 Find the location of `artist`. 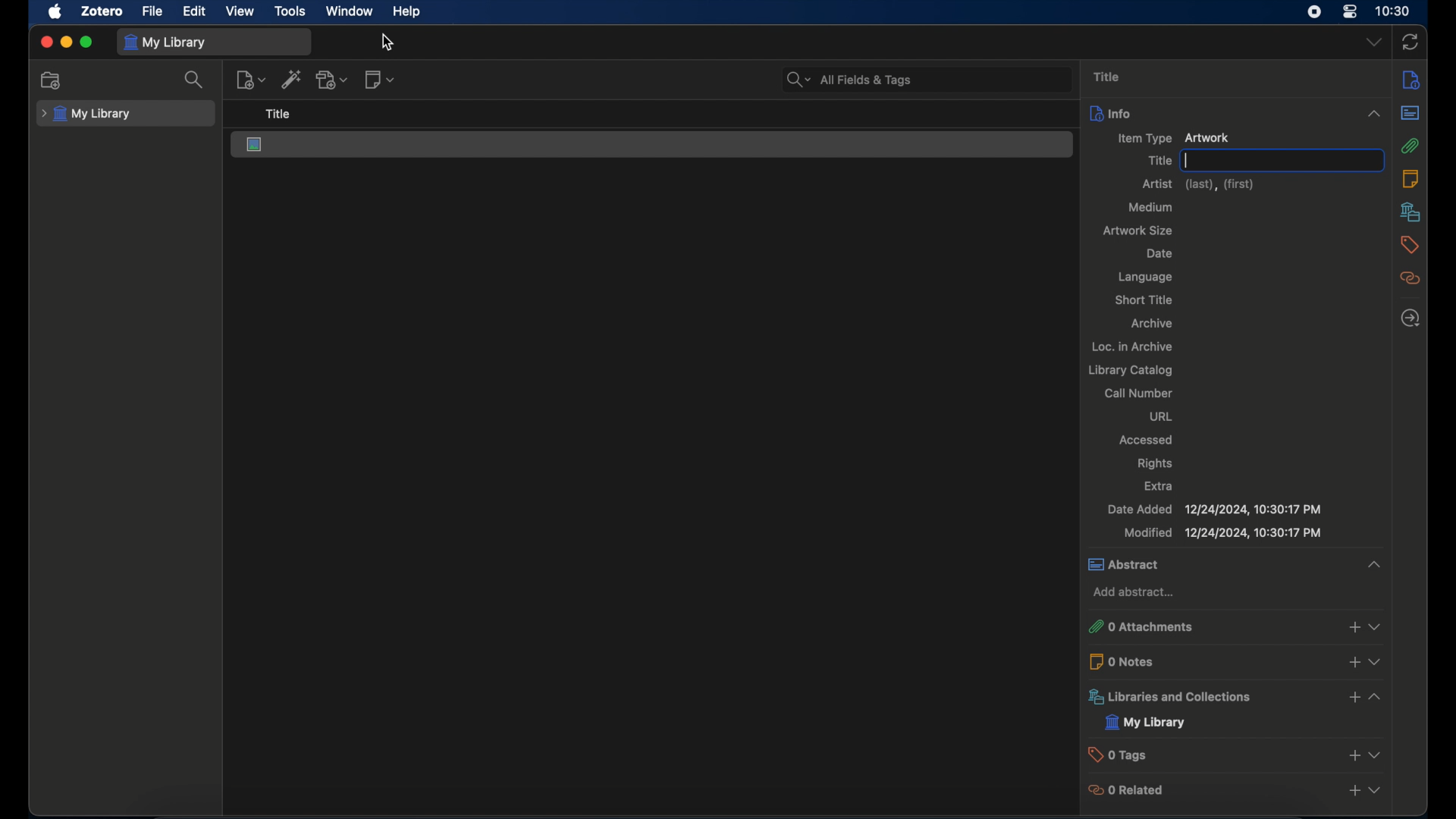

artist is located at coordinates (1200, 184).